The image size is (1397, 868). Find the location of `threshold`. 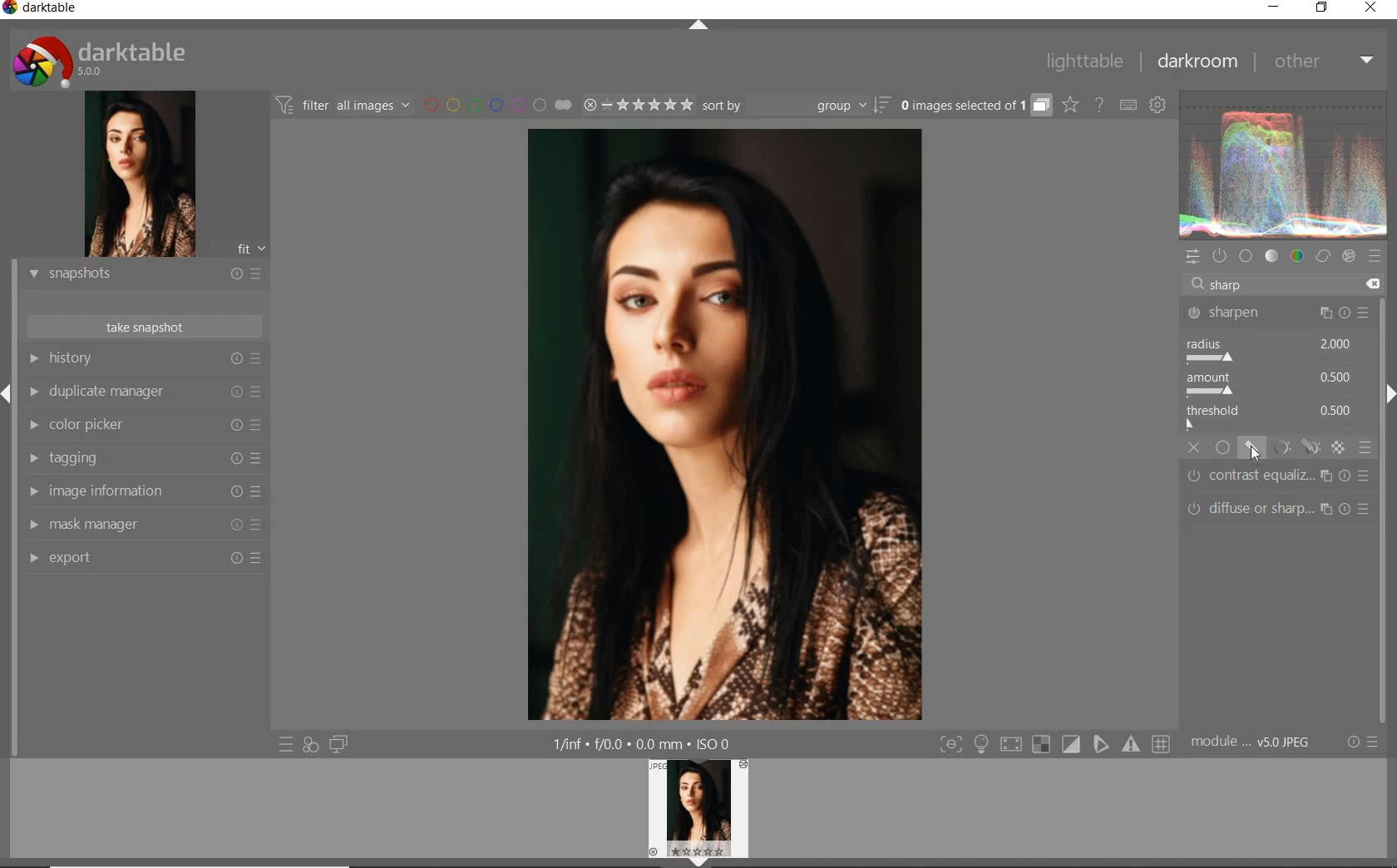

threshold is located at coordinates (1274, 417).